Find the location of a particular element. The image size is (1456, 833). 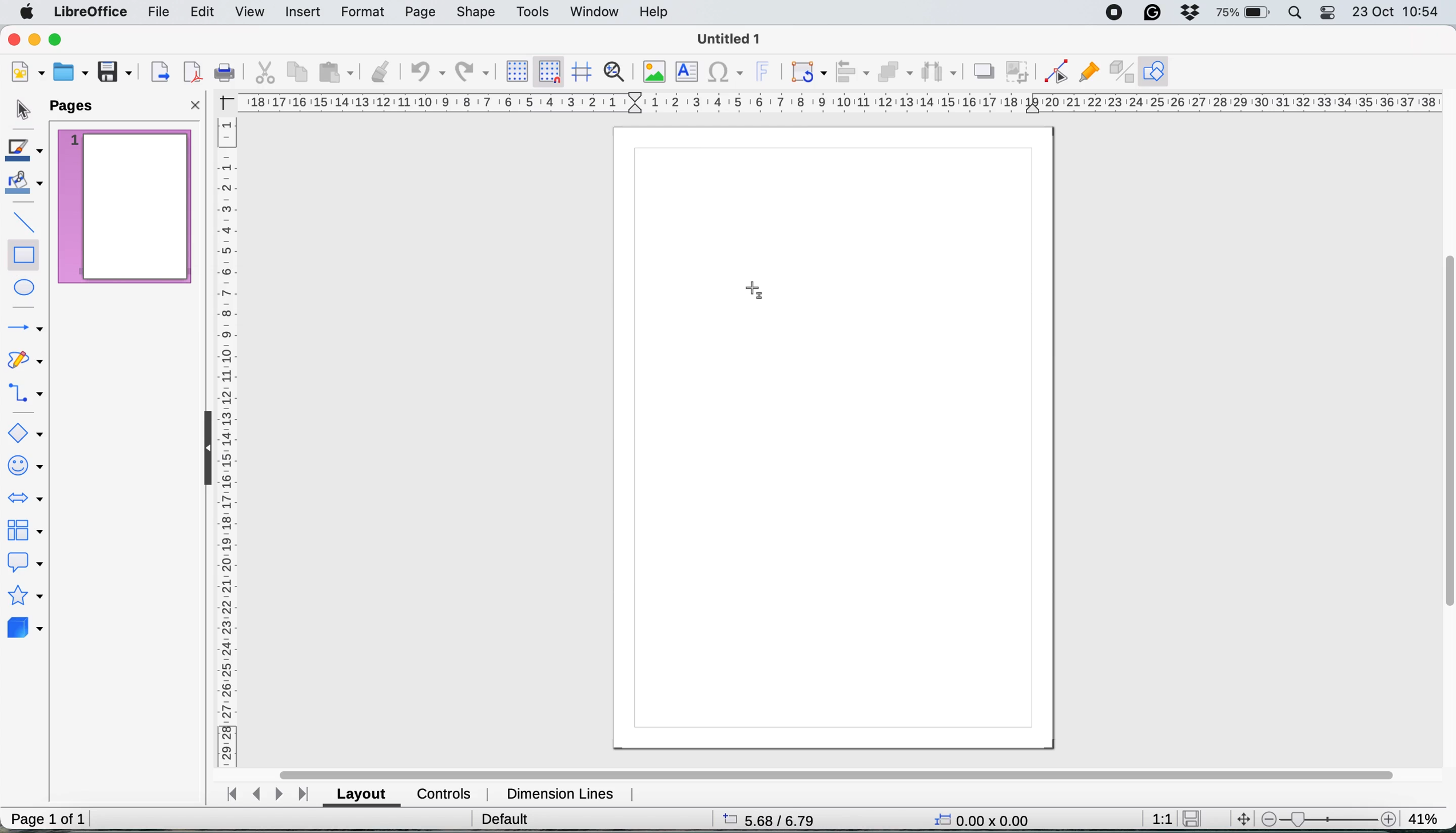

maximise is located at coordinates (55, 37).